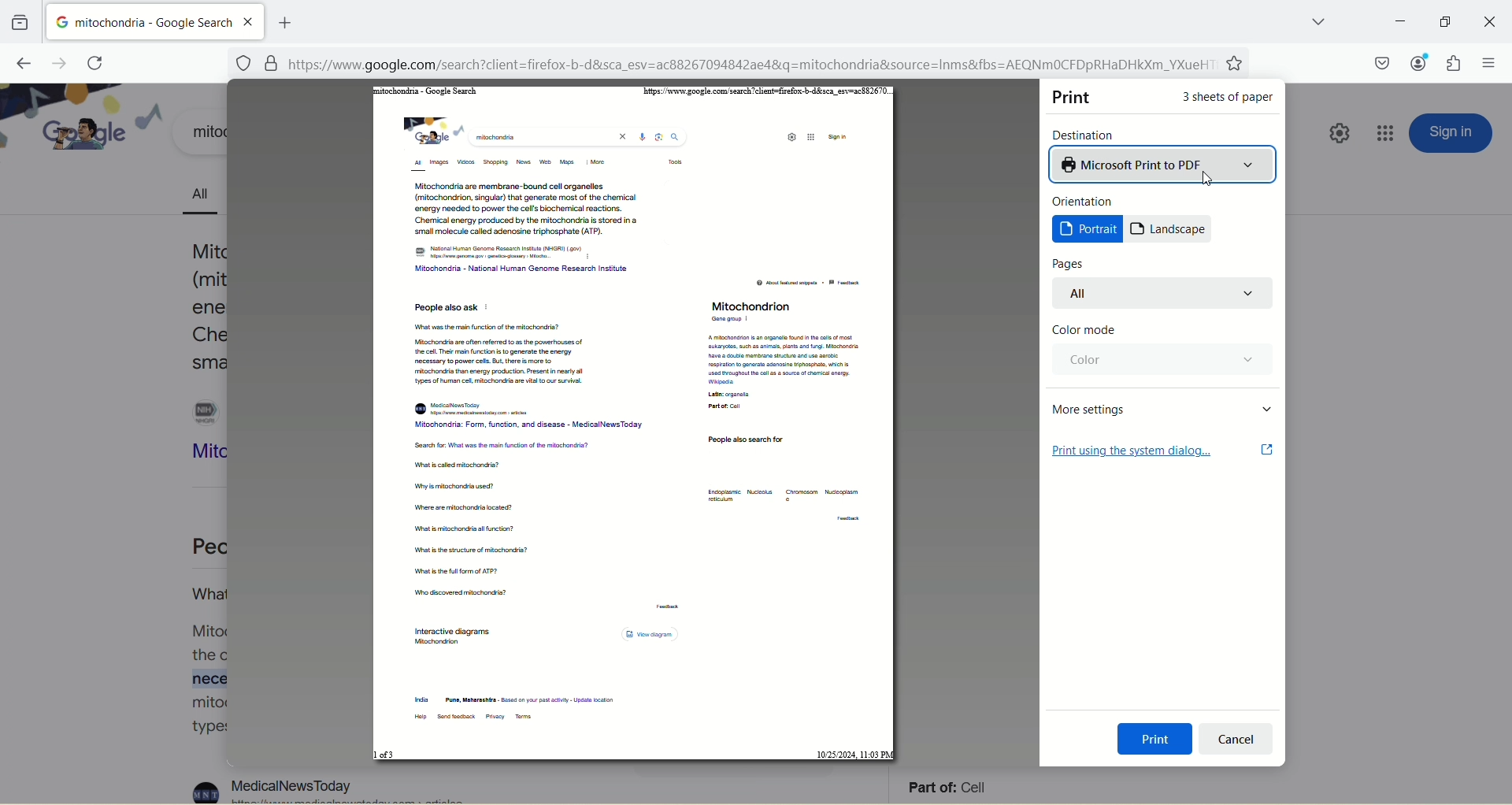  What do you see at coordinates (1229, 101) in the screenshot?
I see `3 sheets of paper` at bounding box center [1229, 101].